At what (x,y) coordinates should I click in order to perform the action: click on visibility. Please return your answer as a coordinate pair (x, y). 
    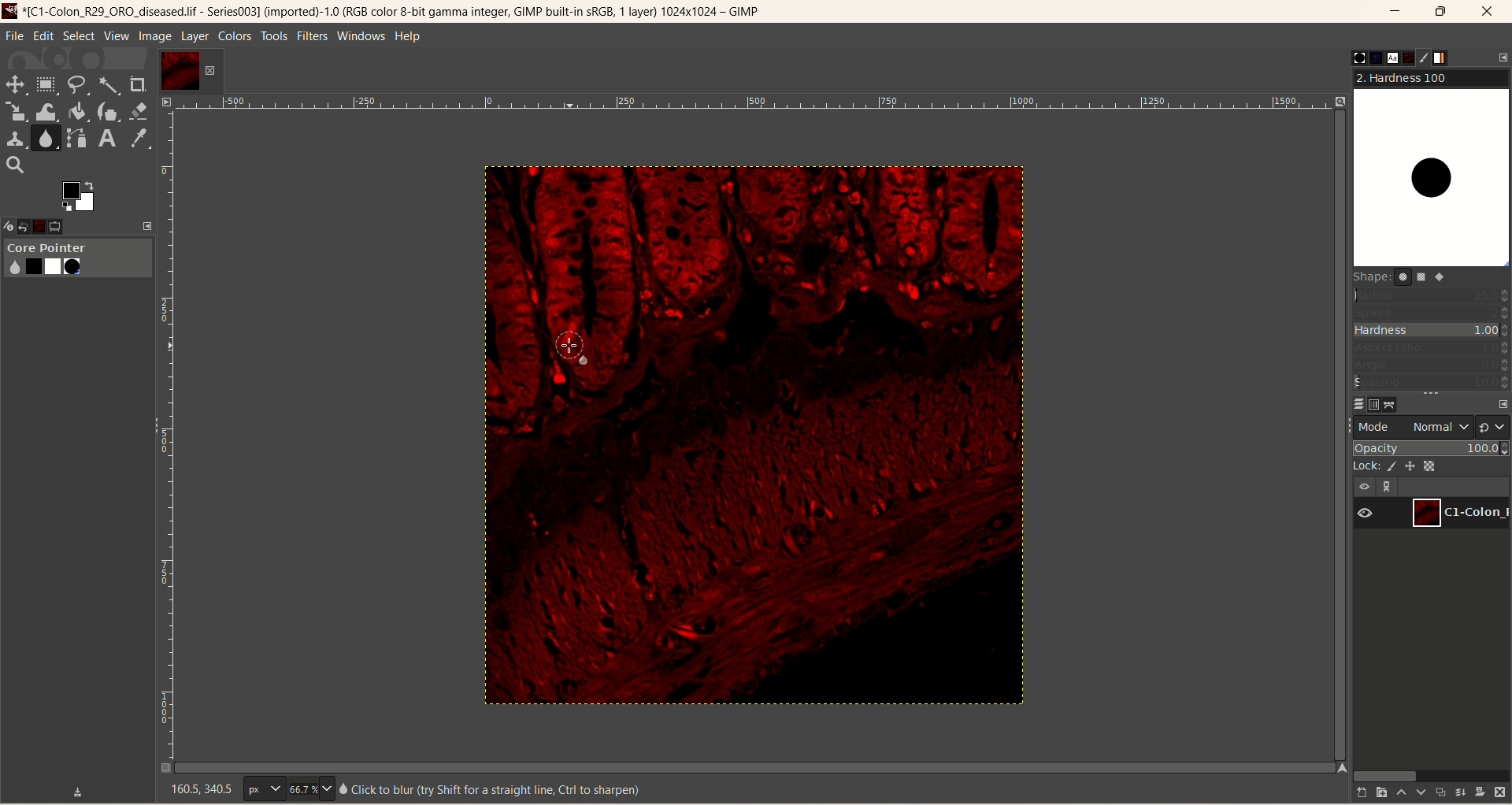
    Looking at the image, I should click on (1366, 485).